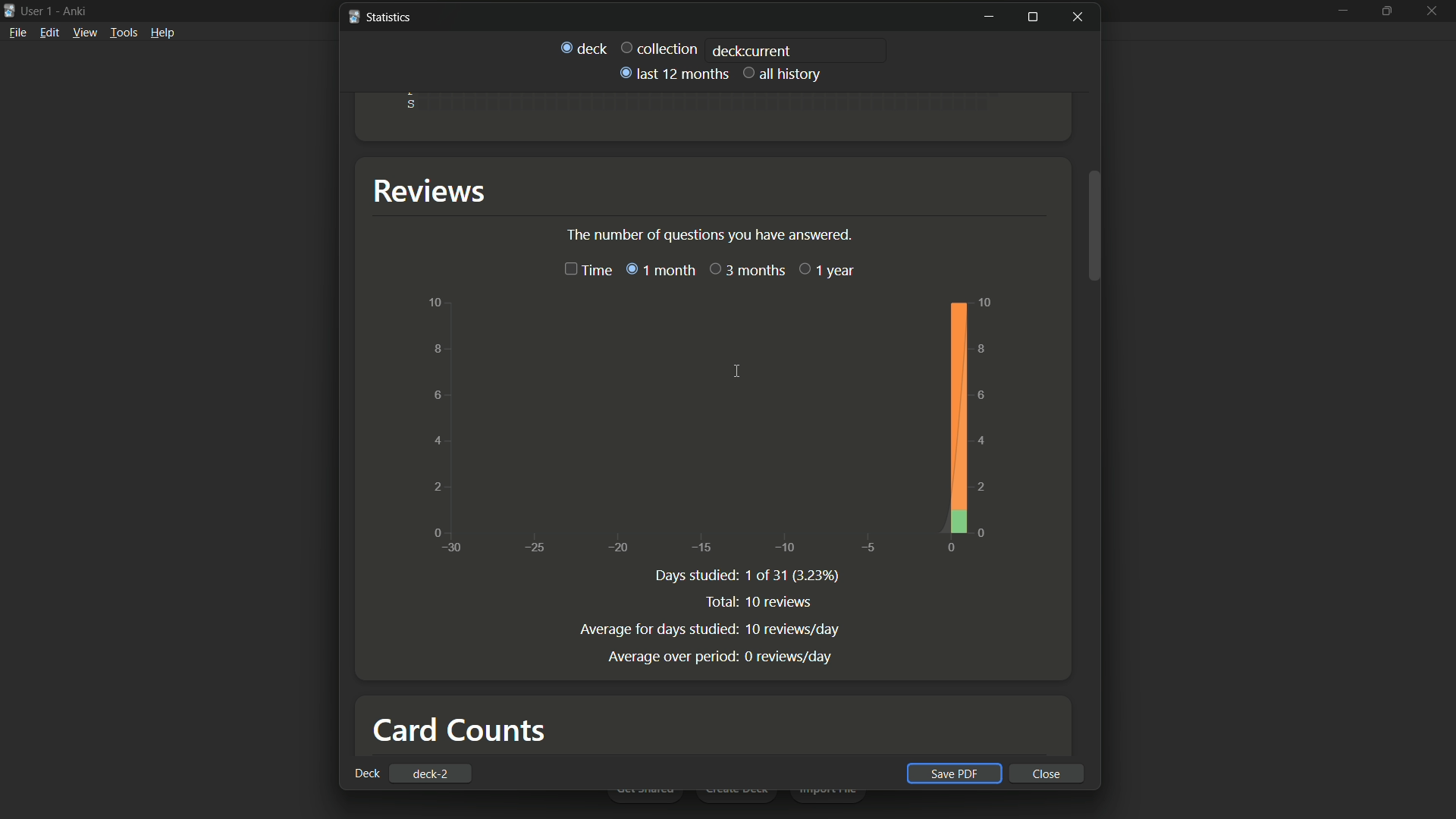 This screenshot has width=1456, height=819. I want to click on Deck, so click(583, 49).